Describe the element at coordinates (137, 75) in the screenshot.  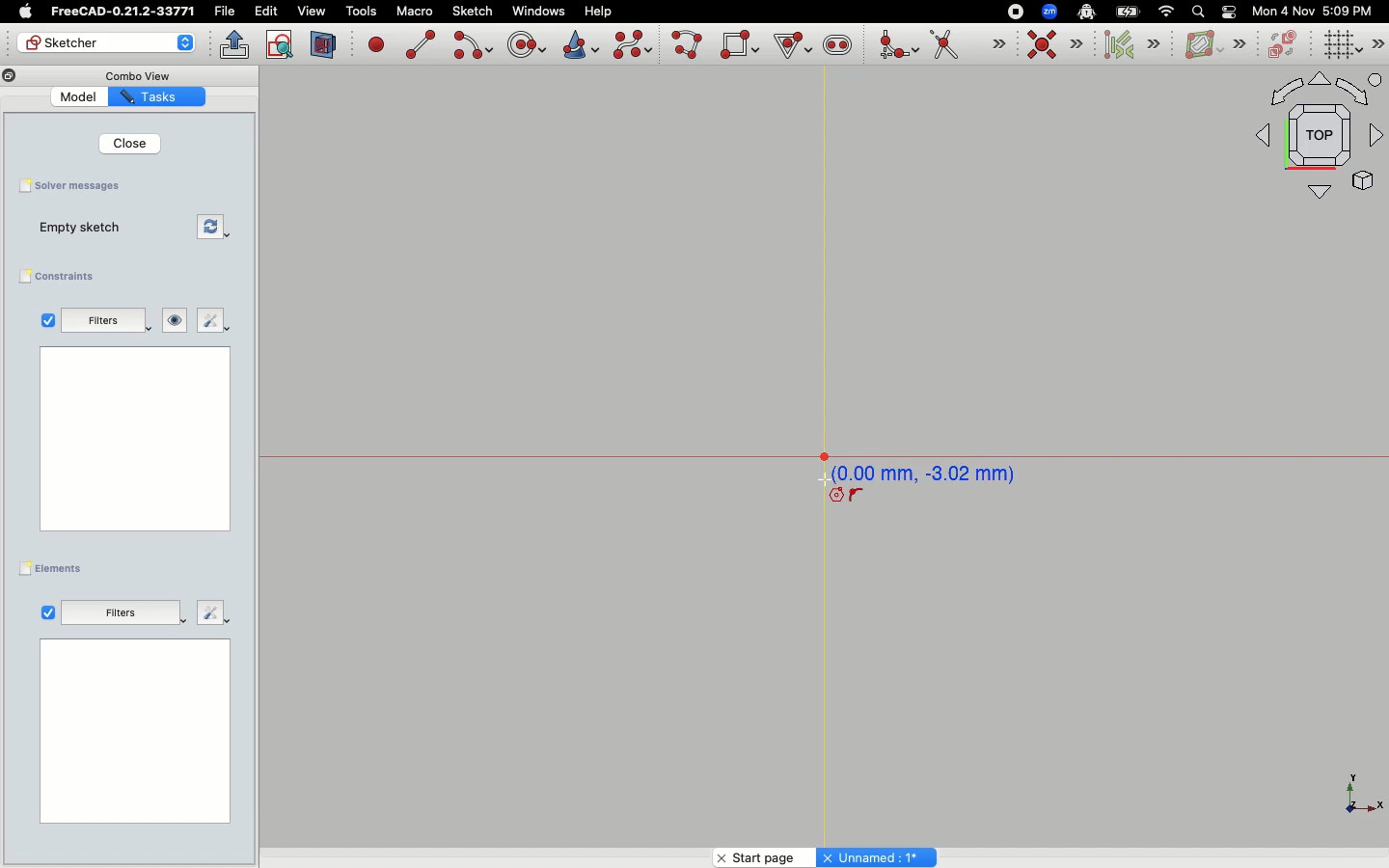
I see `Combo View` at that location.